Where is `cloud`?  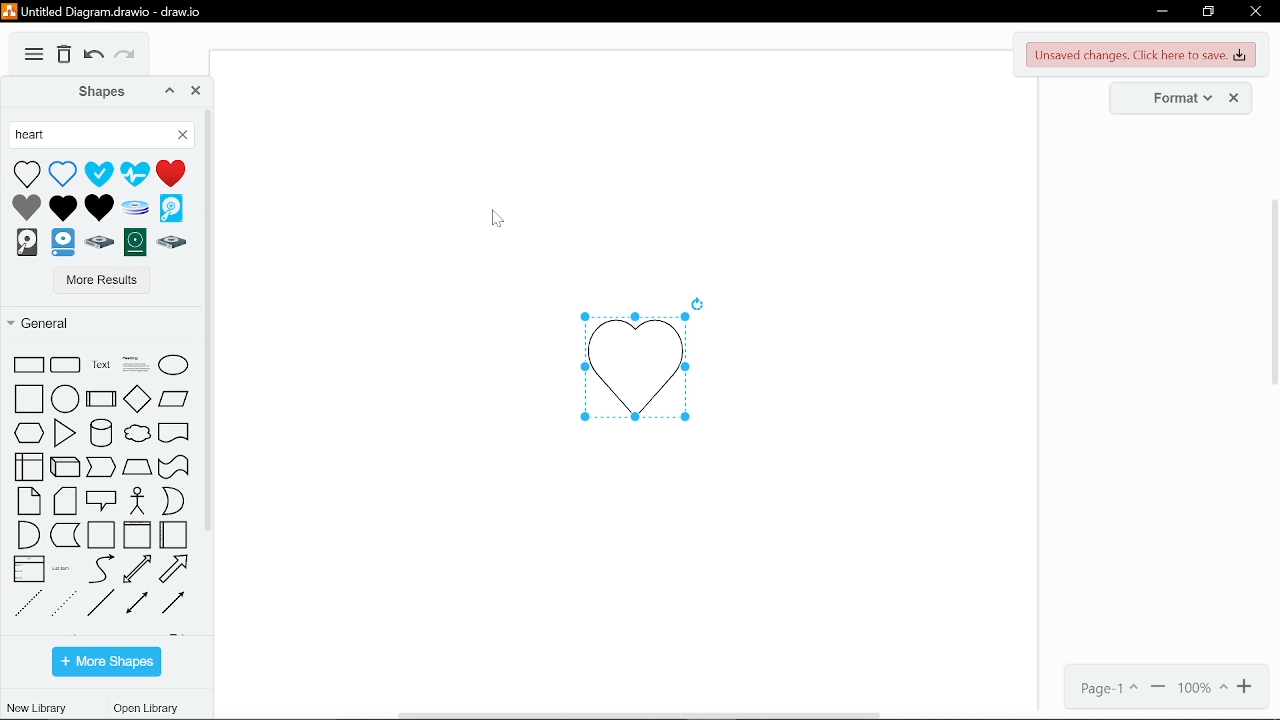 cloud is located at coordinates (138, 434).